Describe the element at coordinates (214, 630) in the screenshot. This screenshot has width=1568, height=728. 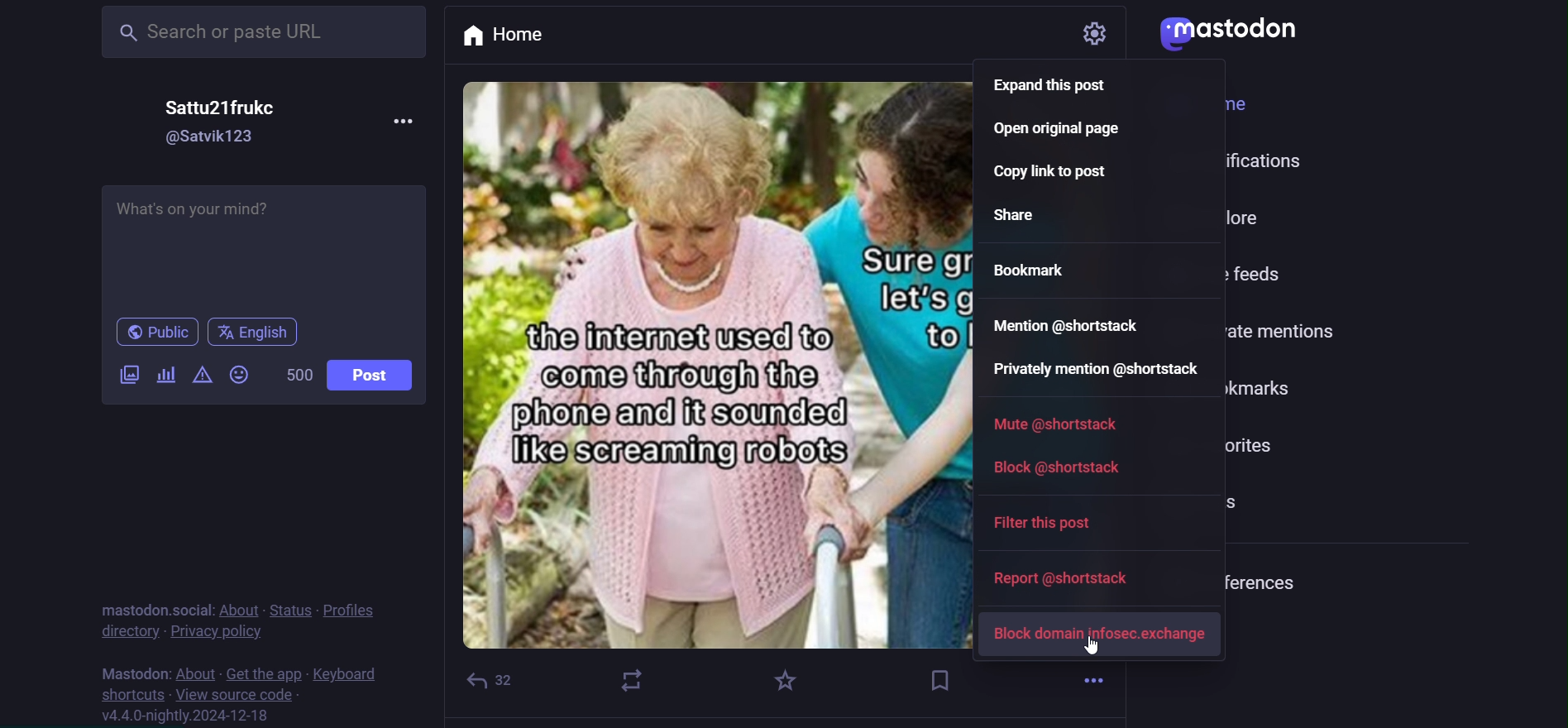
I see `privacy policy` at that location.